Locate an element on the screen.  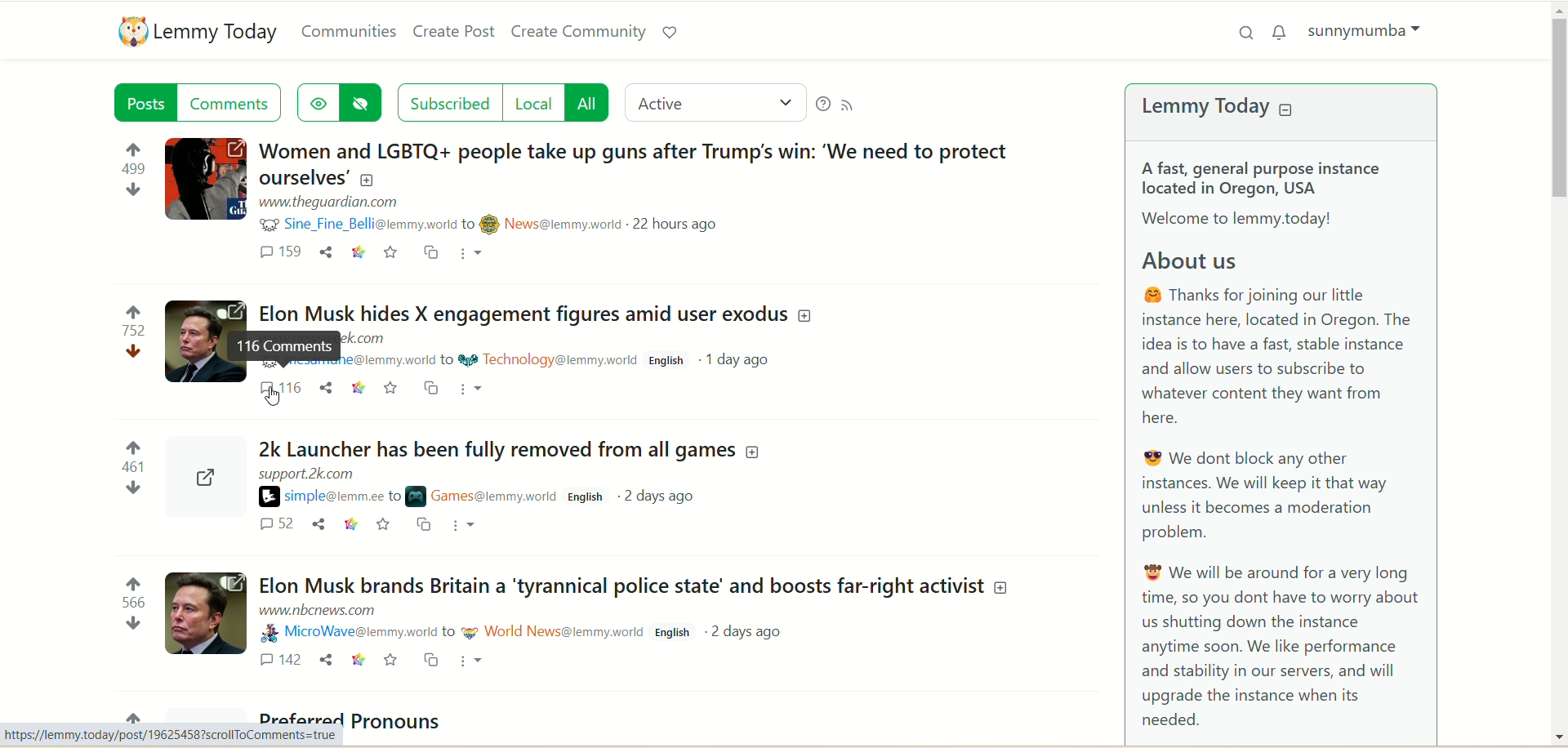
comment is located at coordinates (278, 252).